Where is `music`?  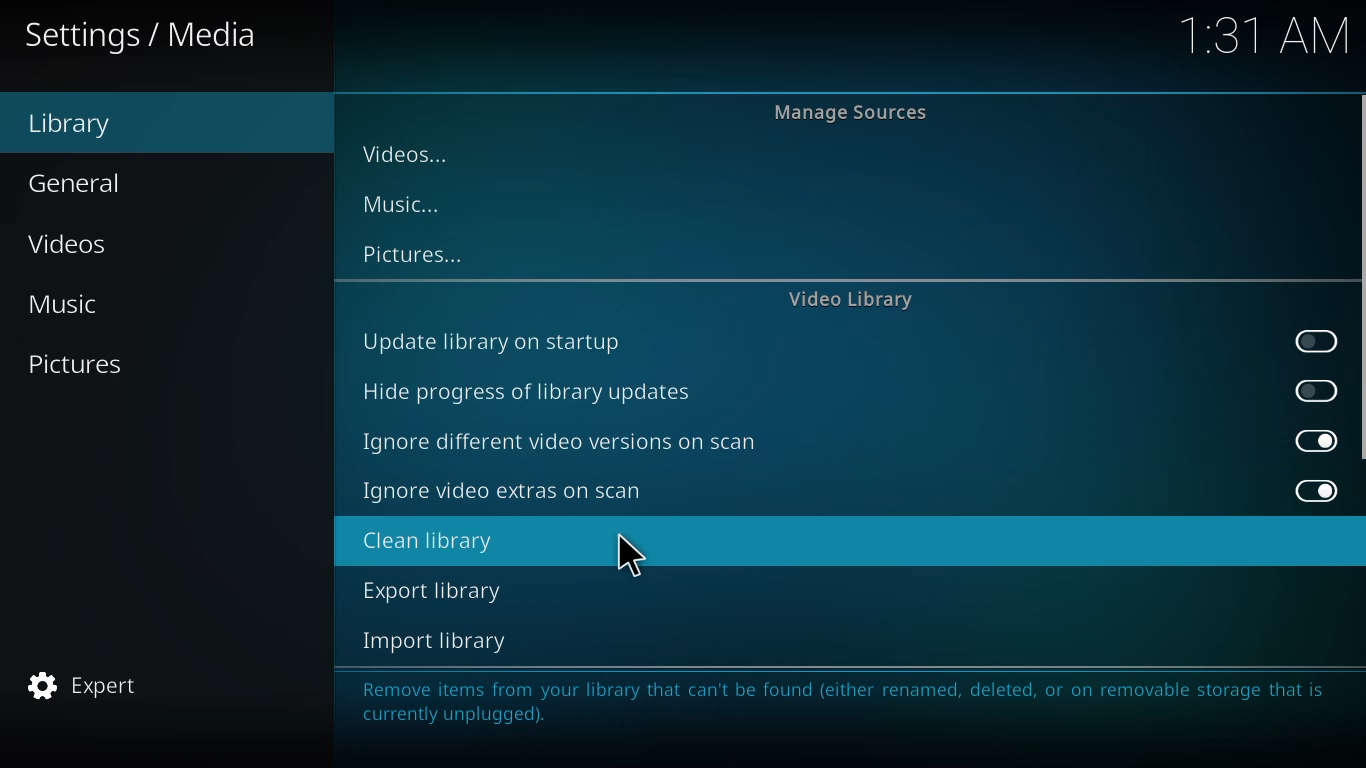
music is located at coordinates (408, 203).